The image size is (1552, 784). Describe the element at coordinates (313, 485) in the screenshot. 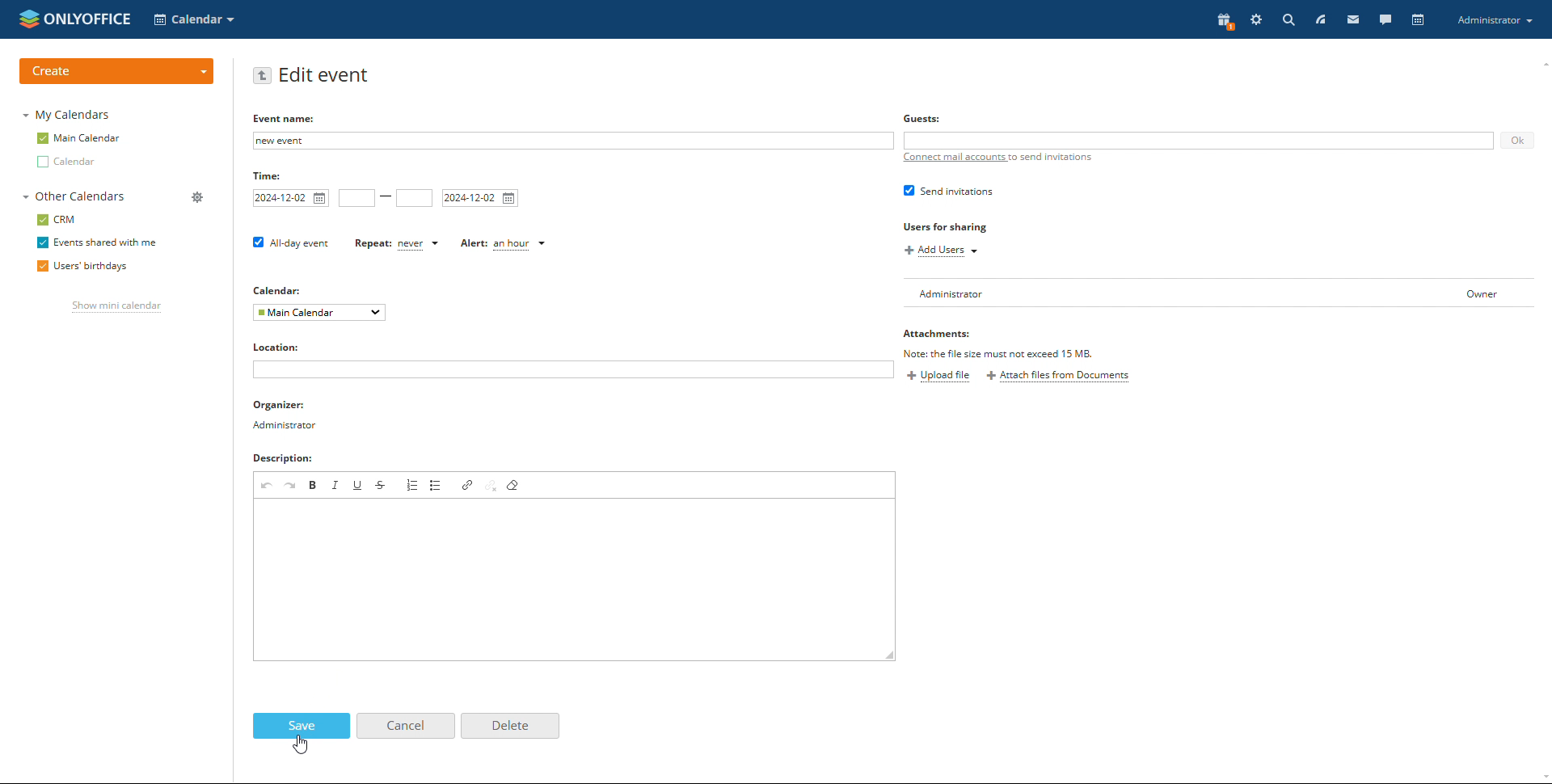

I see `bold` at that location.